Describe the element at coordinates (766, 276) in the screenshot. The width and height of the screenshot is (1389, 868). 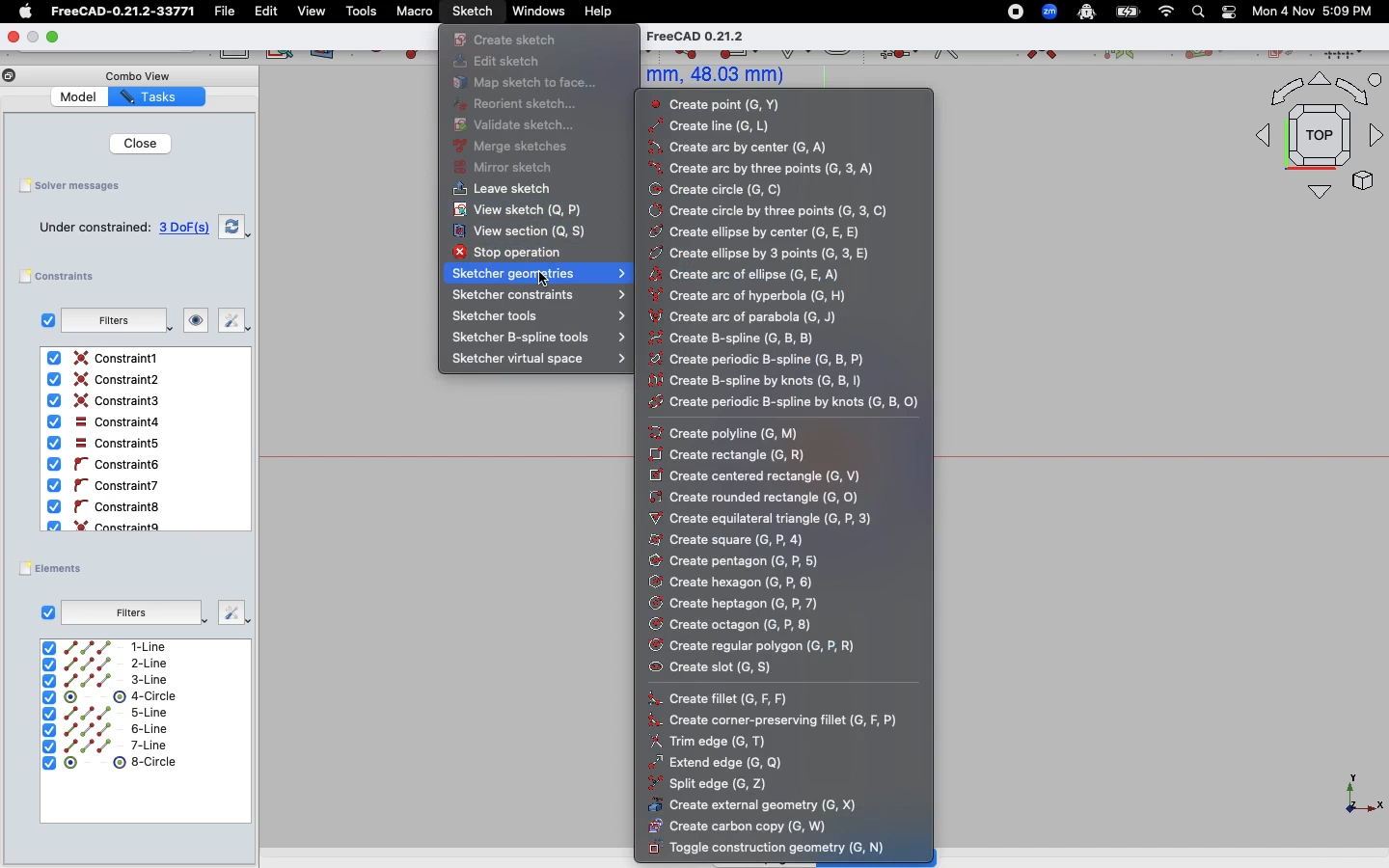
I see `Create arc of ellipse (G, E, A)` at that location.